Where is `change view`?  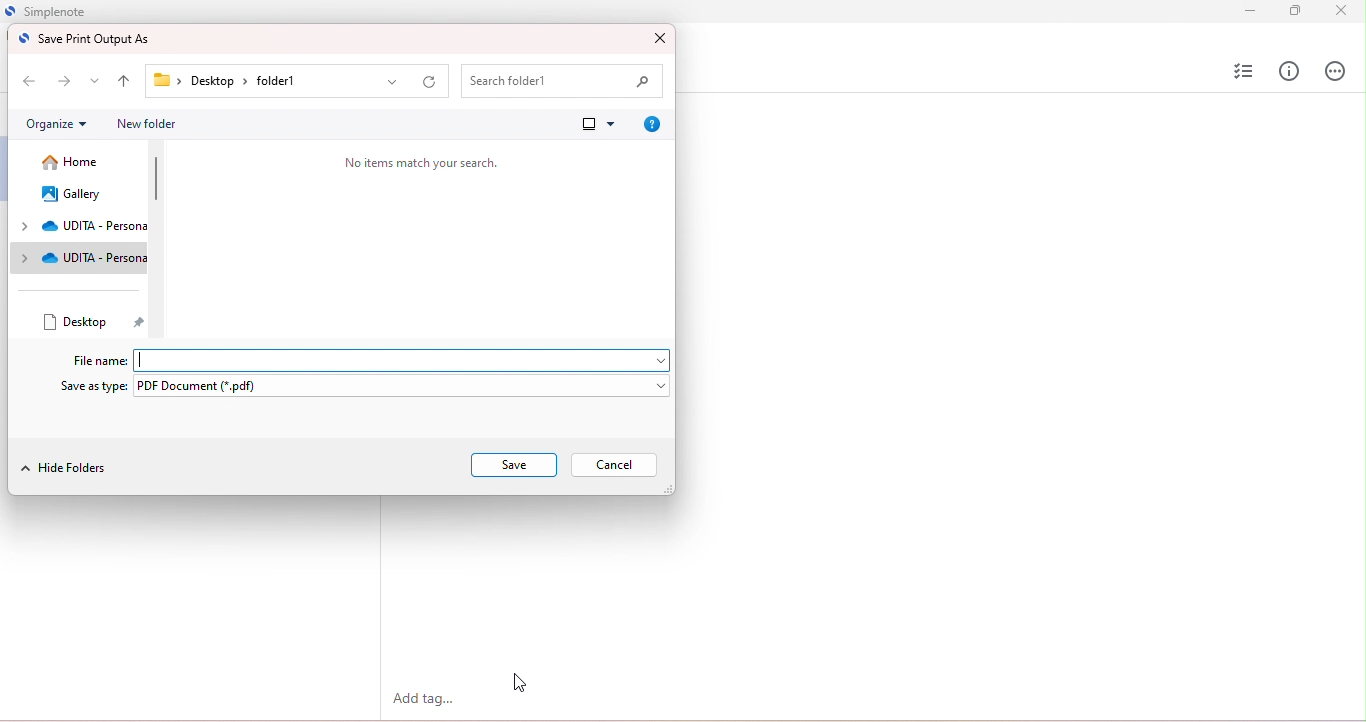 change view is located at coordinates (596, 123).